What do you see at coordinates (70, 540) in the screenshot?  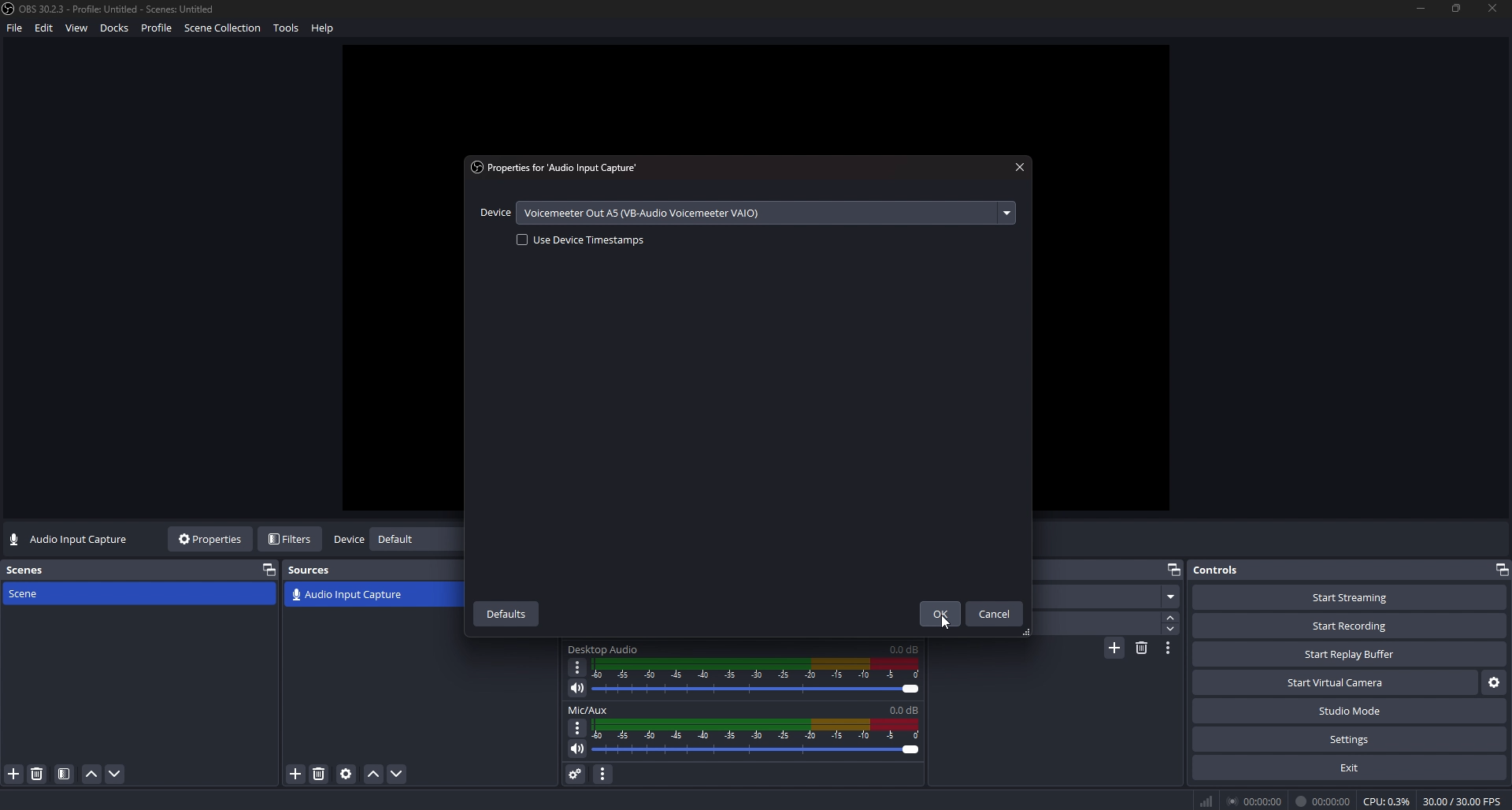 I see `no source selected` at bounding box center [70, 540].